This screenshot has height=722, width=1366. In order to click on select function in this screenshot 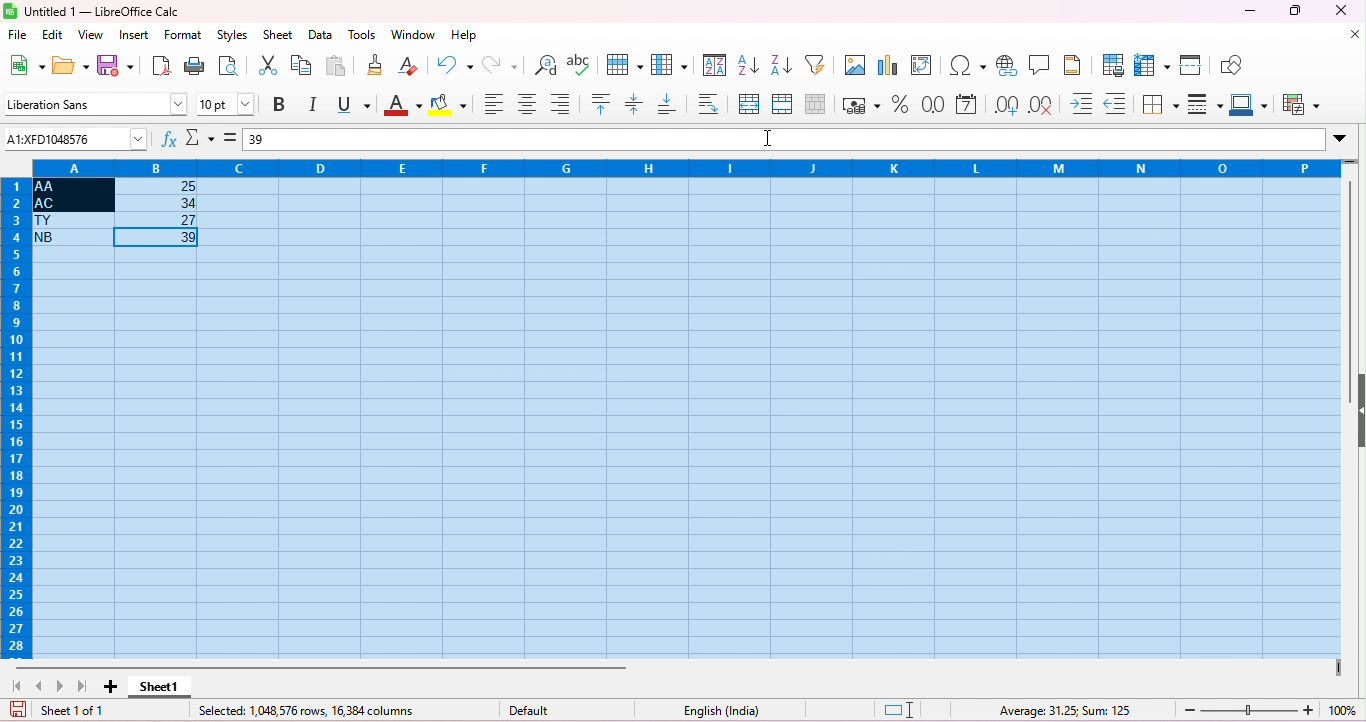, I will do `click(201, 137)`.